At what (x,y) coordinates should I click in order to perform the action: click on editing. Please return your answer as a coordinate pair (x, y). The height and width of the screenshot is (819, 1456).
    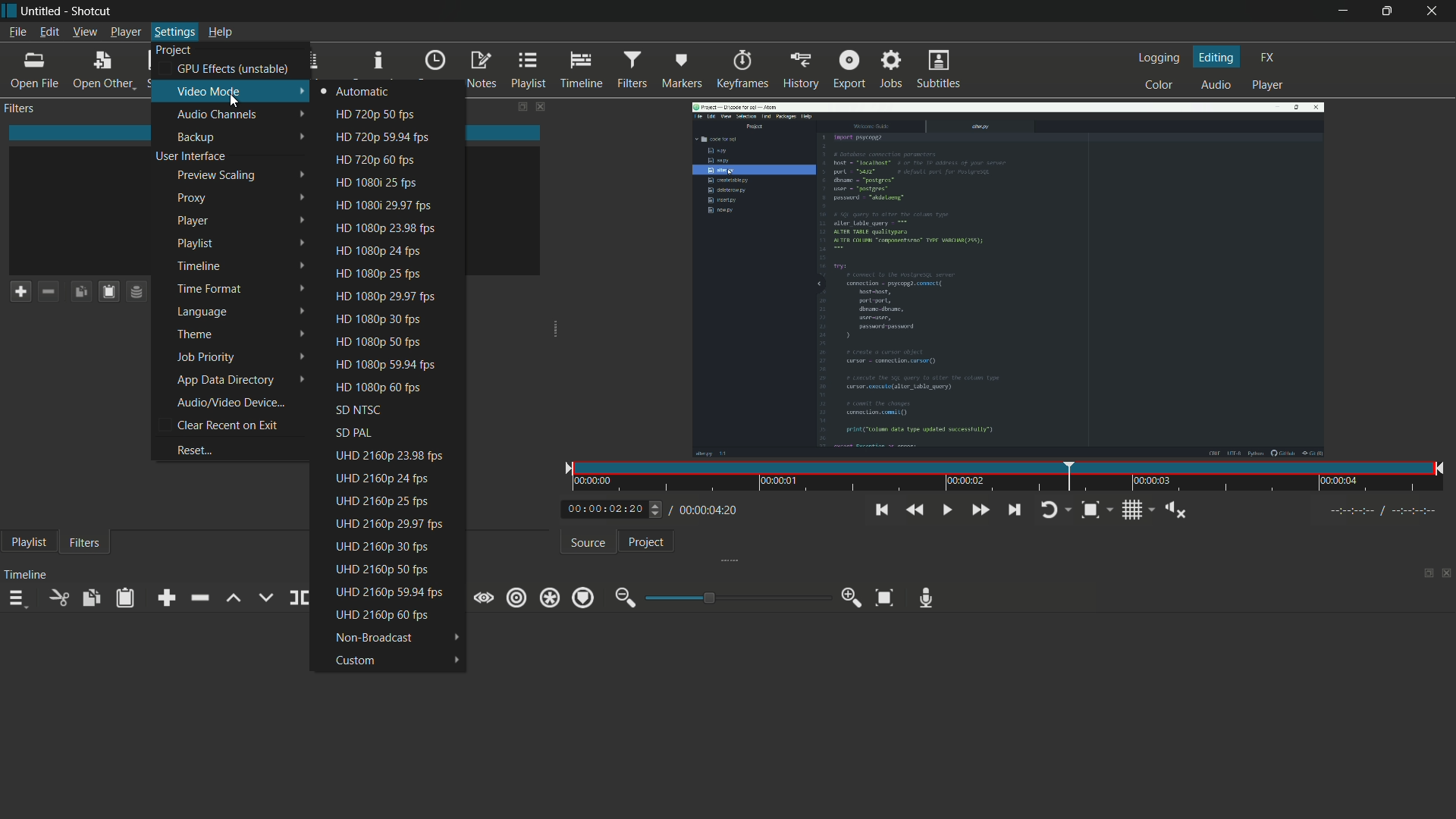
    Looking at the image, I should click on (1216, 56).